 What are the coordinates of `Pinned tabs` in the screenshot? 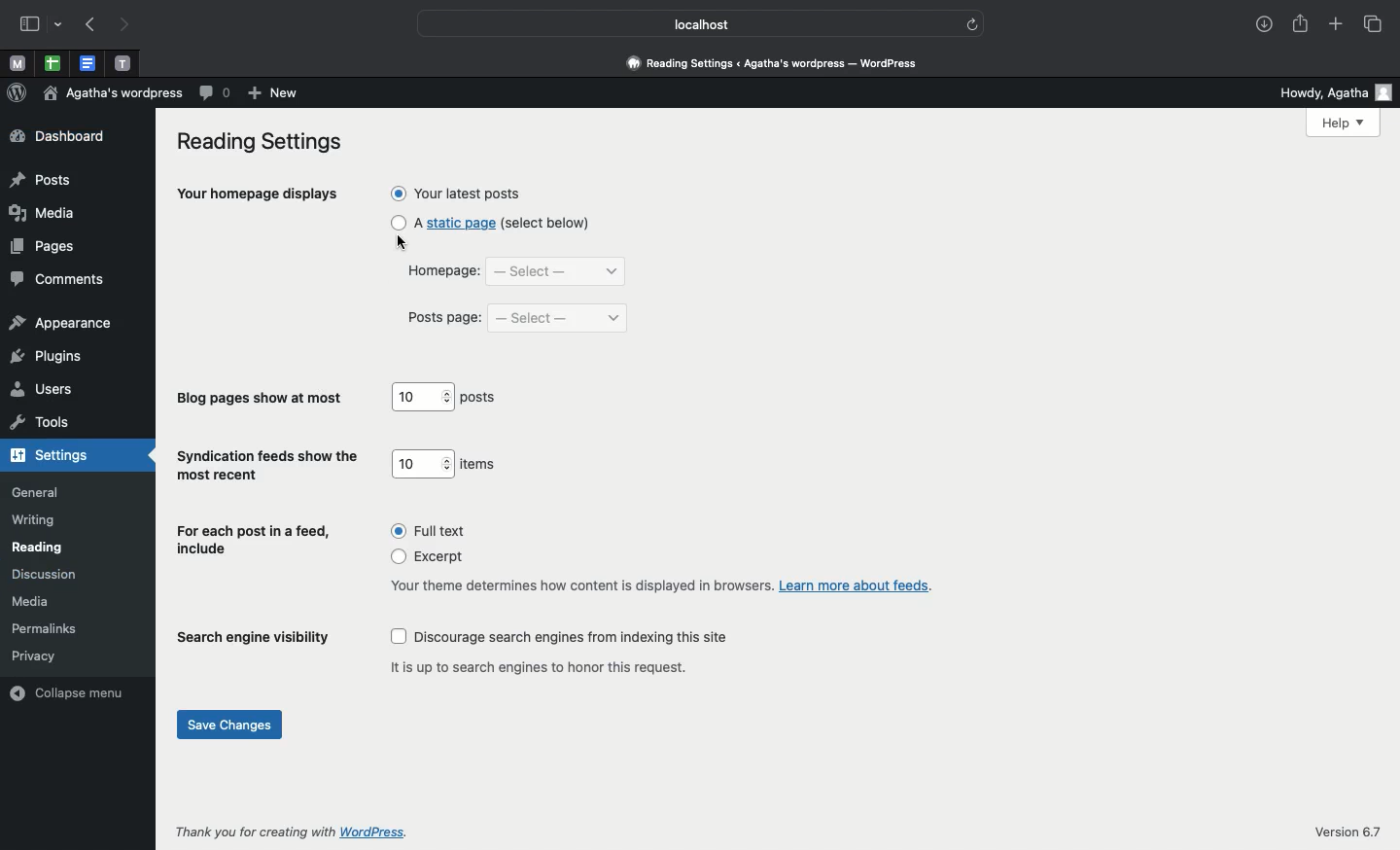 It's located at (14, 62).